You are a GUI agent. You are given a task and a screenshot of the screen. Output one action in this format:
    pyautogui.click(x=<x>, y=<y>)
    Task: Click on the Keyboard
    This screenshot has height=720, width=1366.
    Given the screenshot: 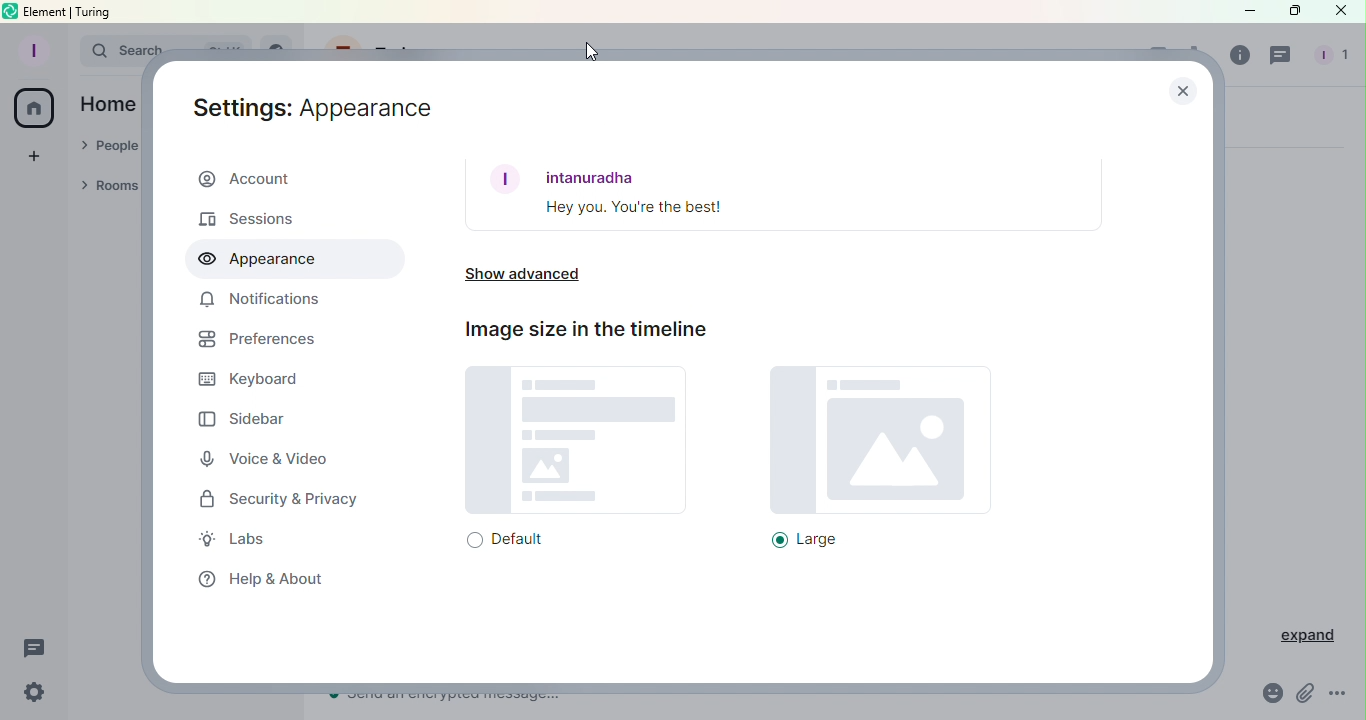 What is the action you would take?
    pyautogui.click(x=248, y=381)
    